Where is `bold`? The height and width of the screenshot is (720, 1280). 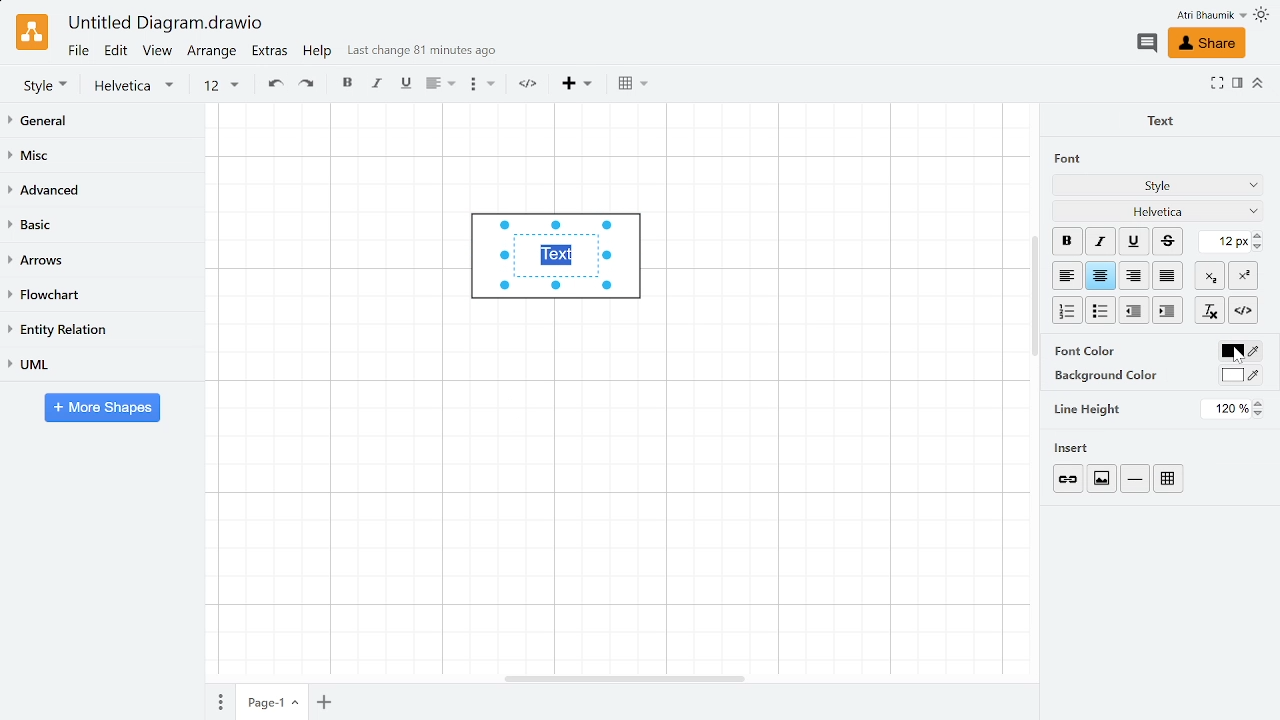
bold is located at coordinates (349, 85).